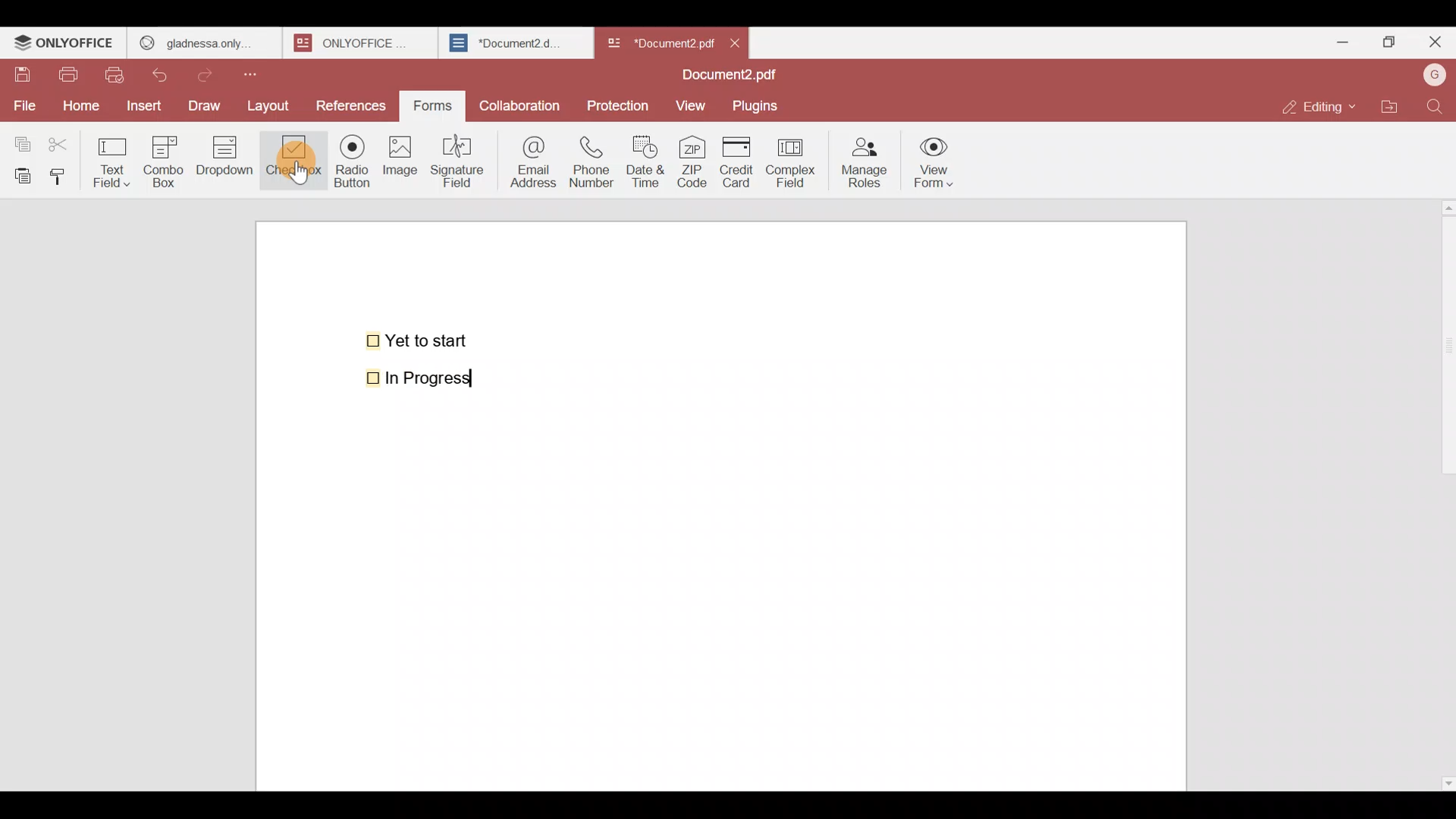 The width and height of the screenshot is (1456, 819). I want to click on Document name, so click(659, 39).